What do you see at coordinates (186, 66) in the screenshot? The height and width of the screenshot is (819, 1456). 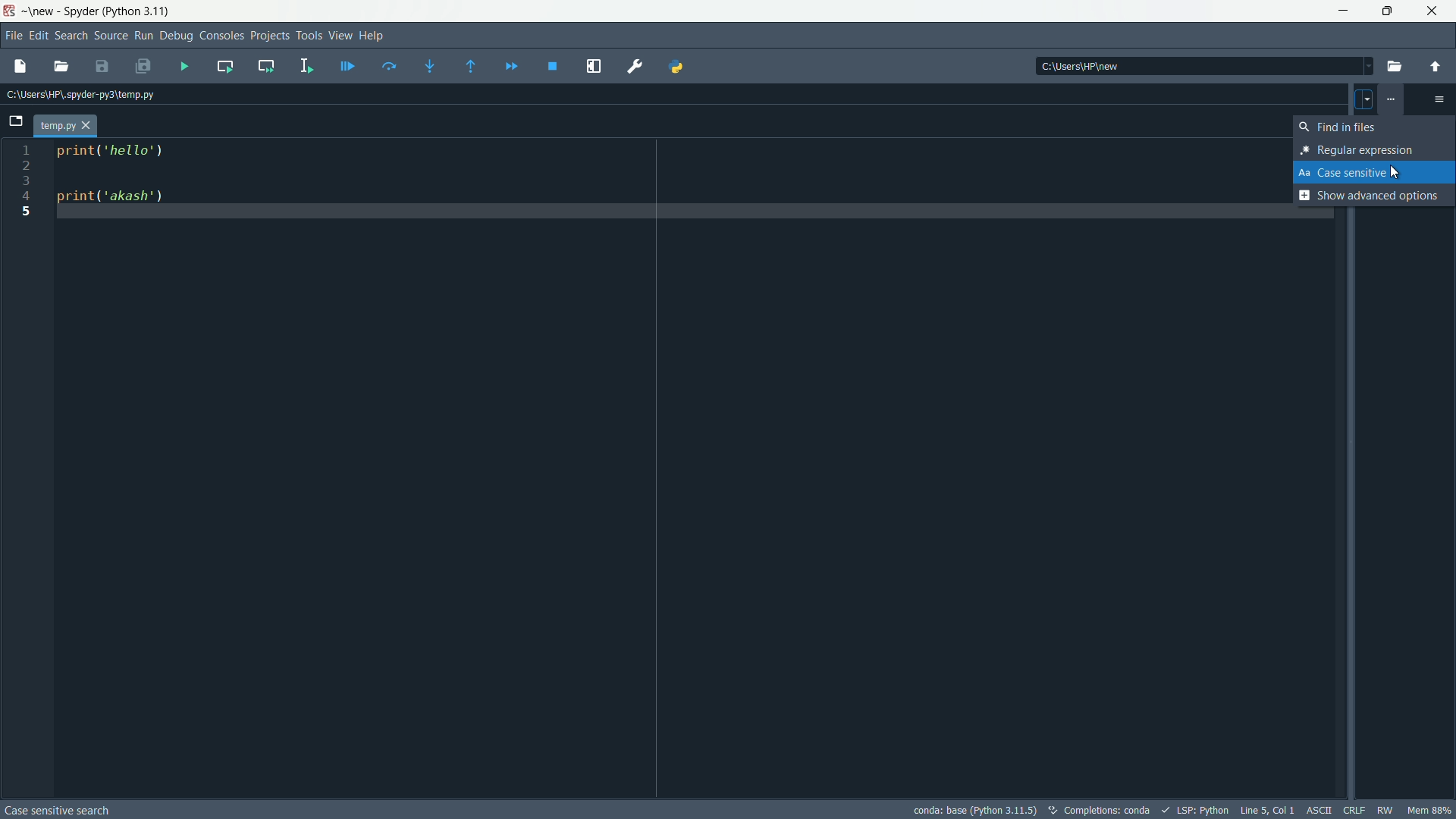 I see `run file` at bounding box center [186, 66].